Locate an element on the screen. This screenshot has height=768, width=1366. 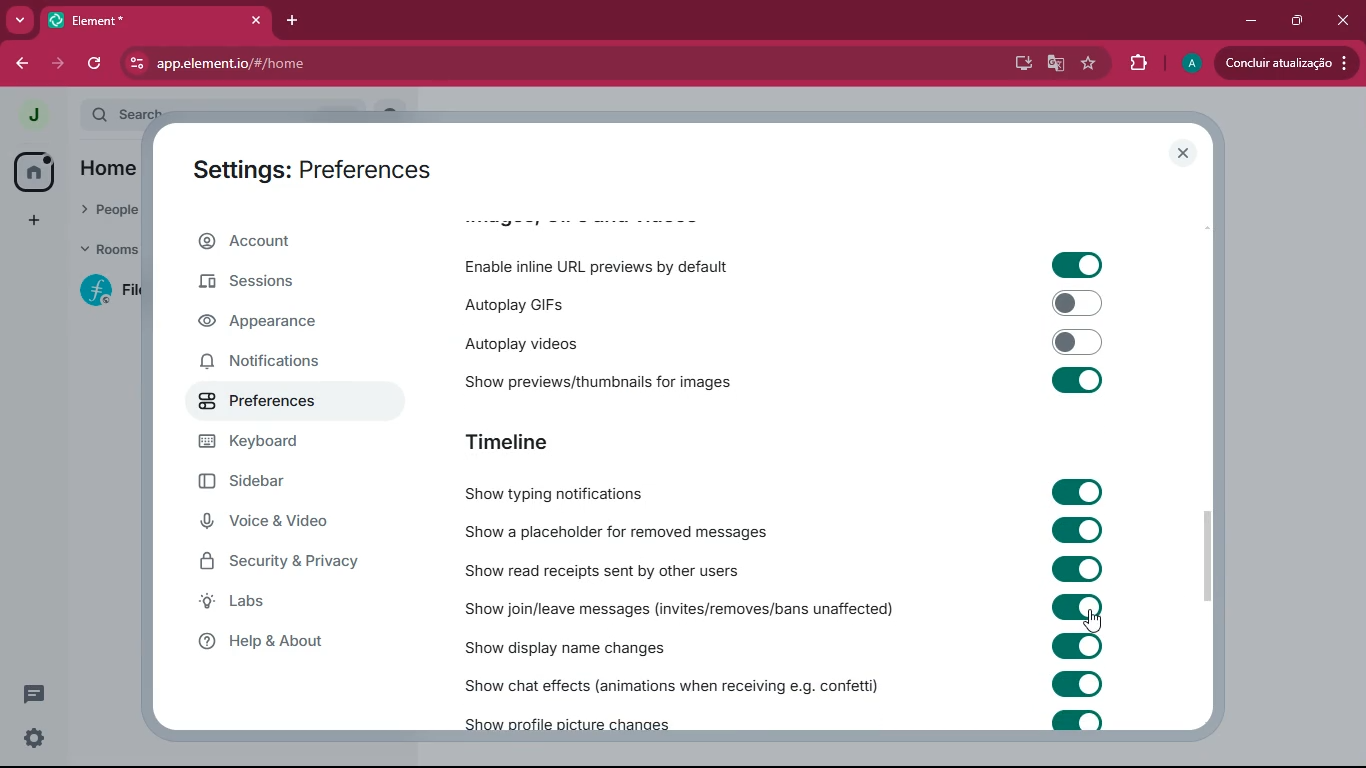
toggle on/off is located at coordinates (1077, 303).